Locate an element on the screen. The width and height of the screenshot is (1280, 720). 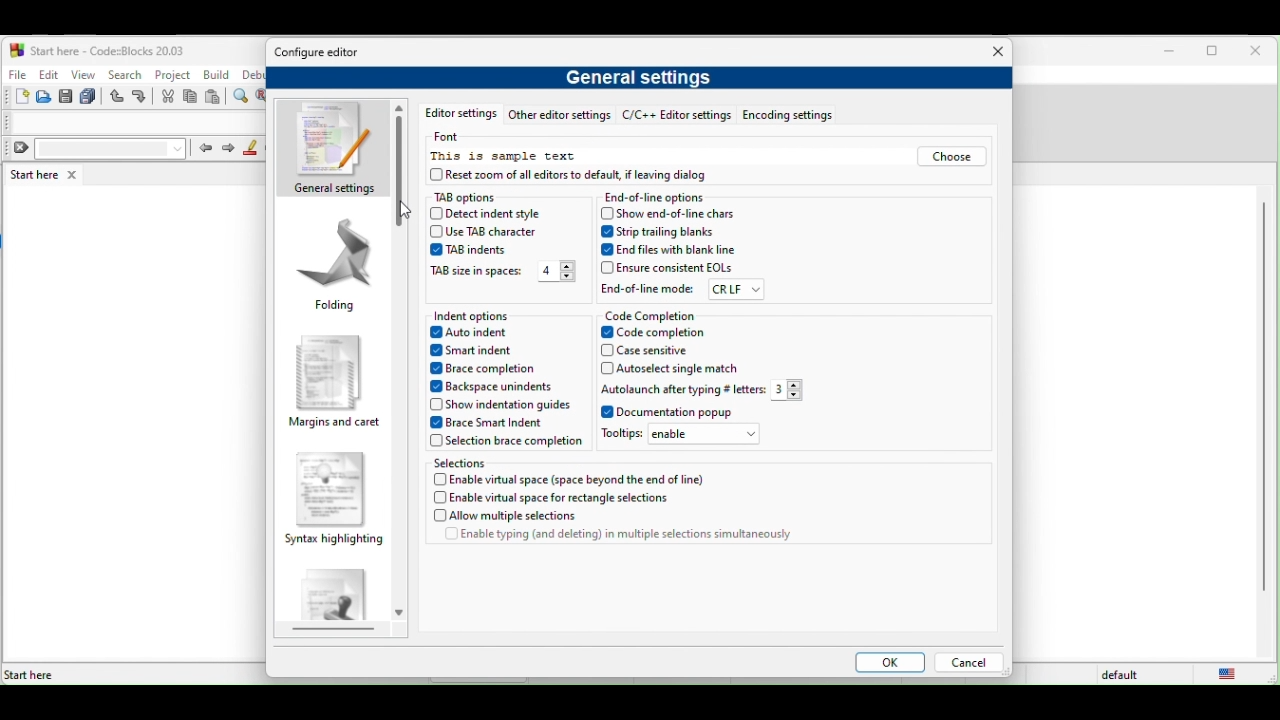
configure editor is located at coordinates (323, 53).